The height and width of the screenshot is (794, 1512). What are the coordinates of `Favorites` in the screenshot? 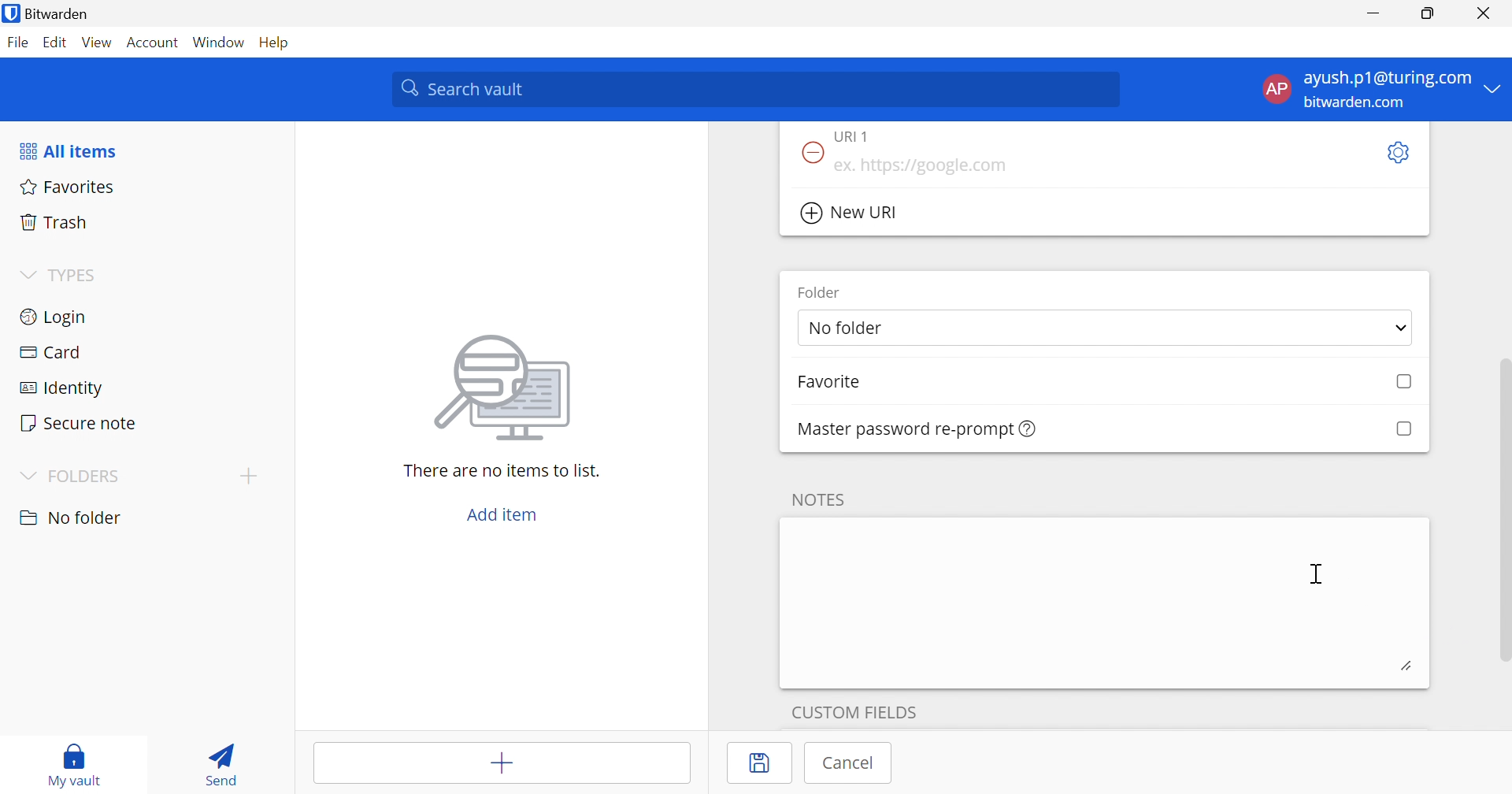 It's located at (65, 185).